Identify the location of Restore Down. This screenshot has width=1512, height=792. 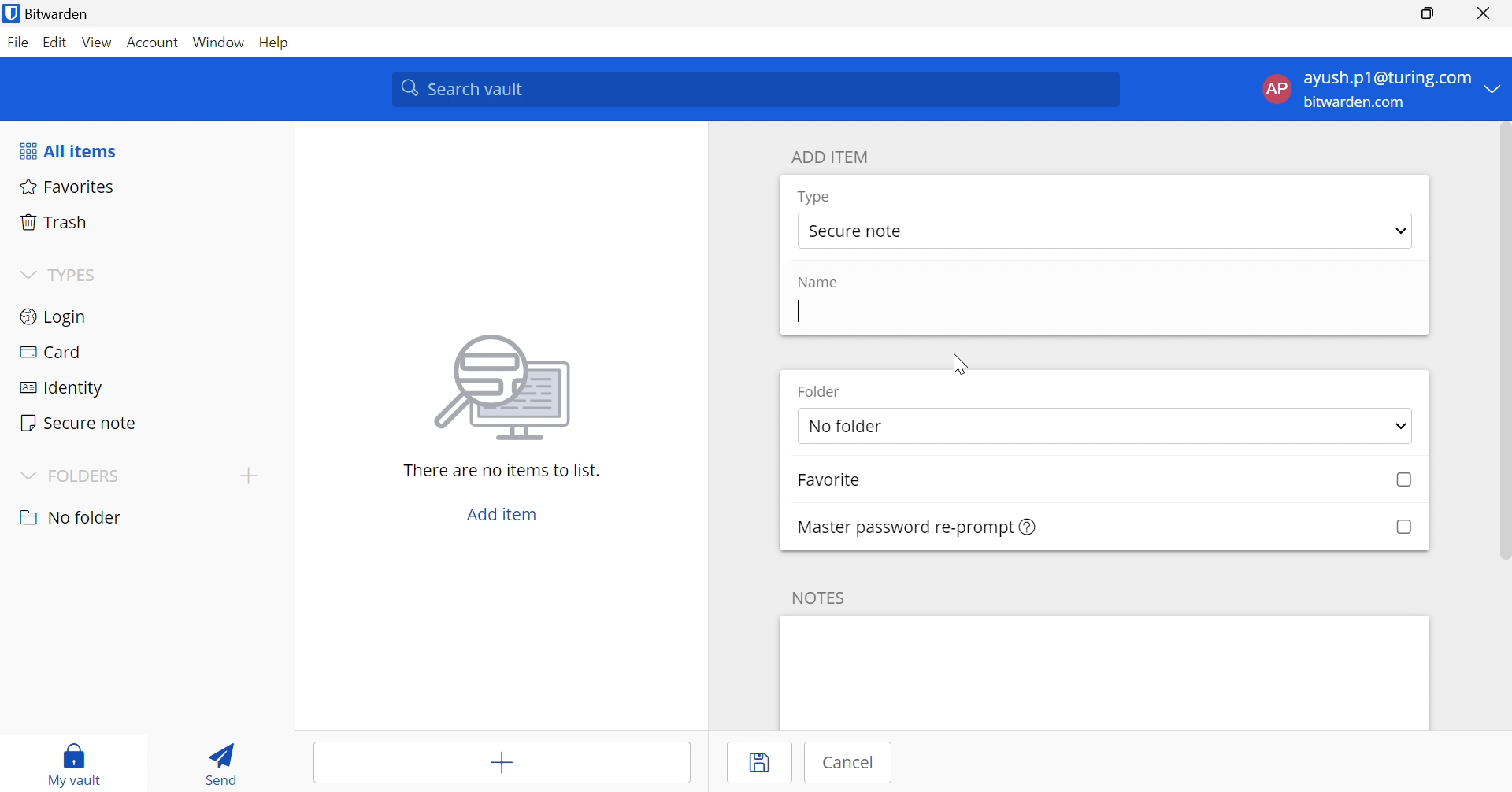
(1429, 11).